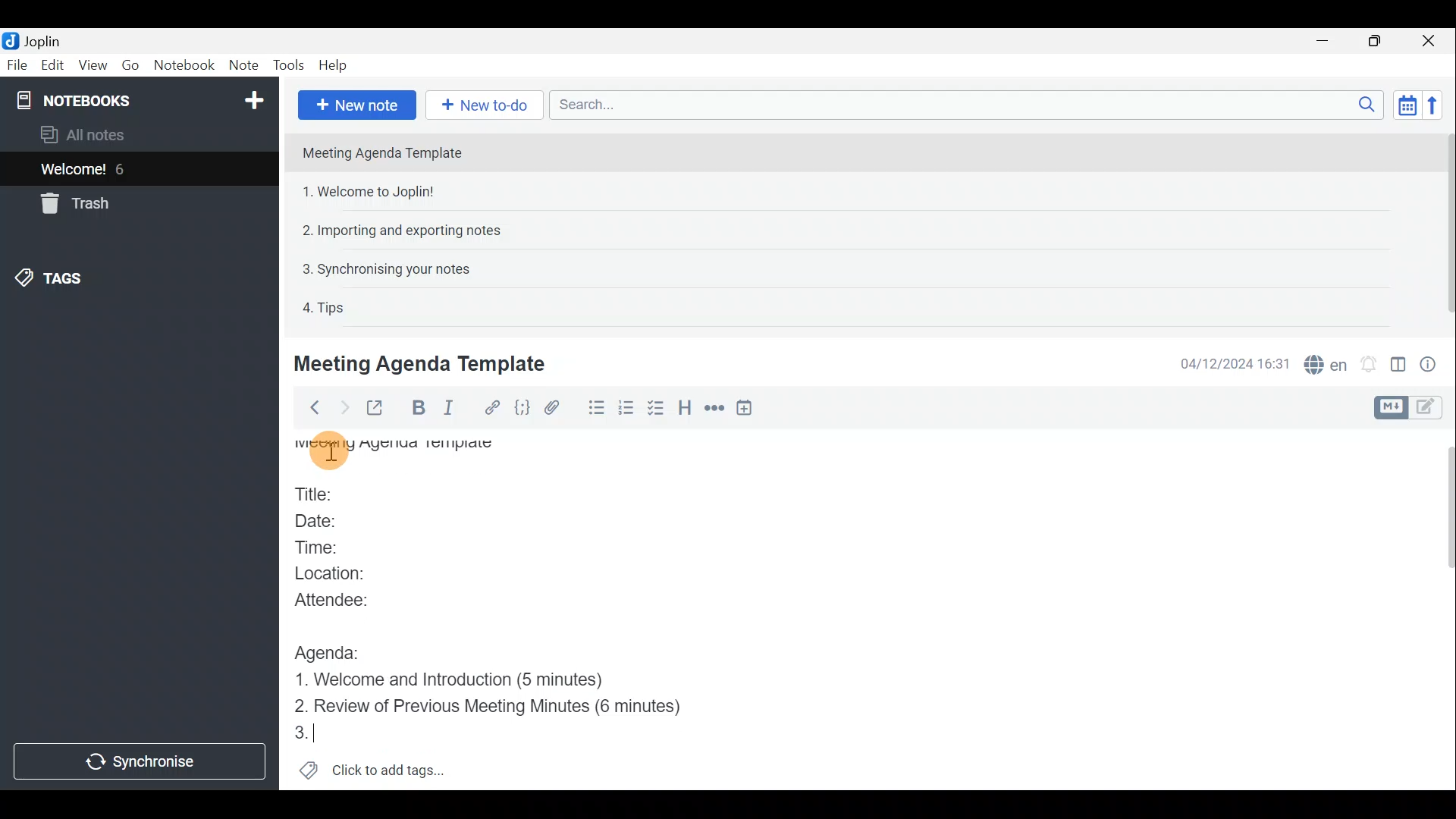  Describe the element at coordinates (140, 760) in the screenshot. I see `Synchronise` at that location.